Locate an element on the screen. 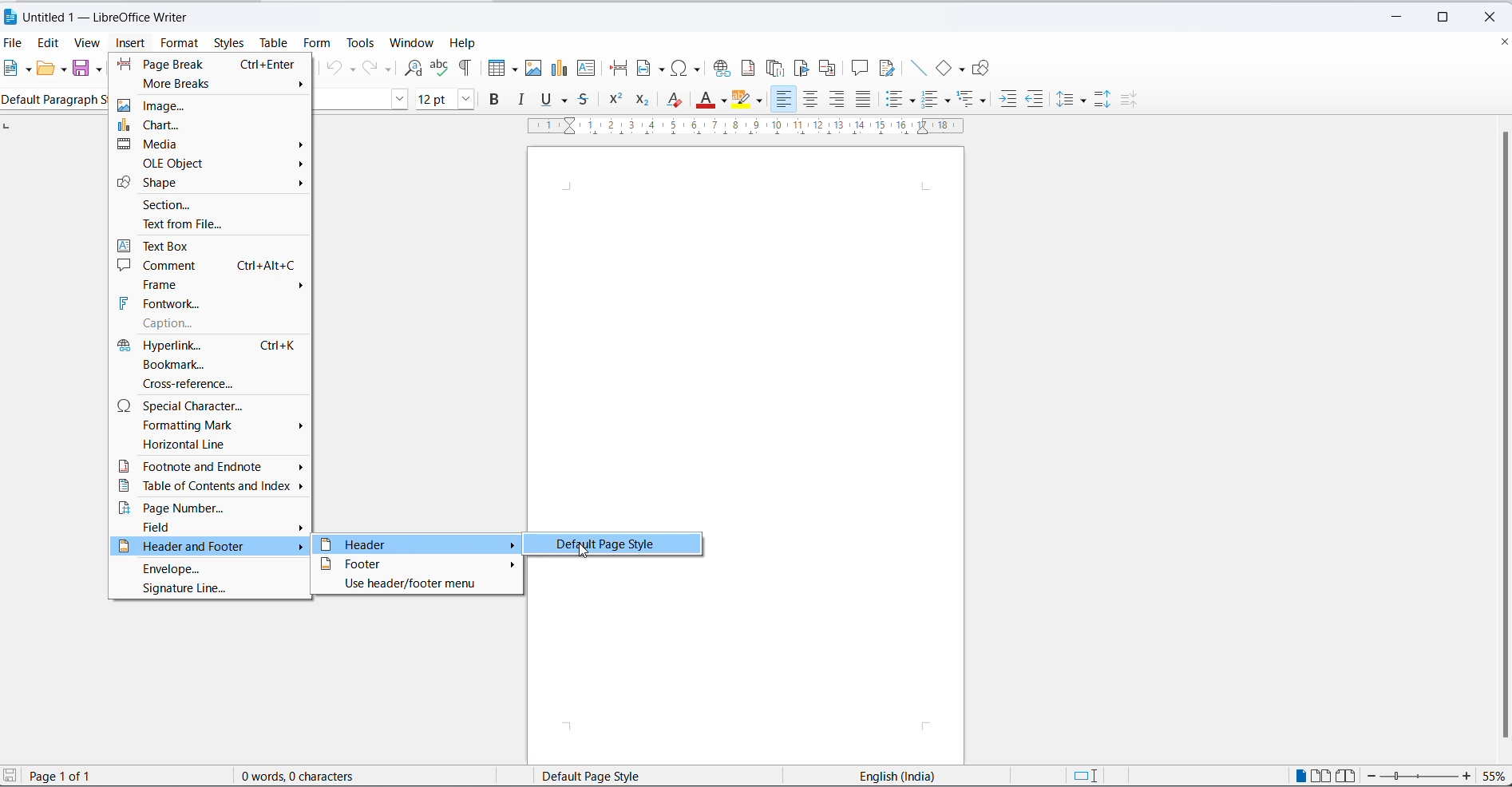 The image size is (1512, 787). Default paragraph style is located at coordinates (53, 99).